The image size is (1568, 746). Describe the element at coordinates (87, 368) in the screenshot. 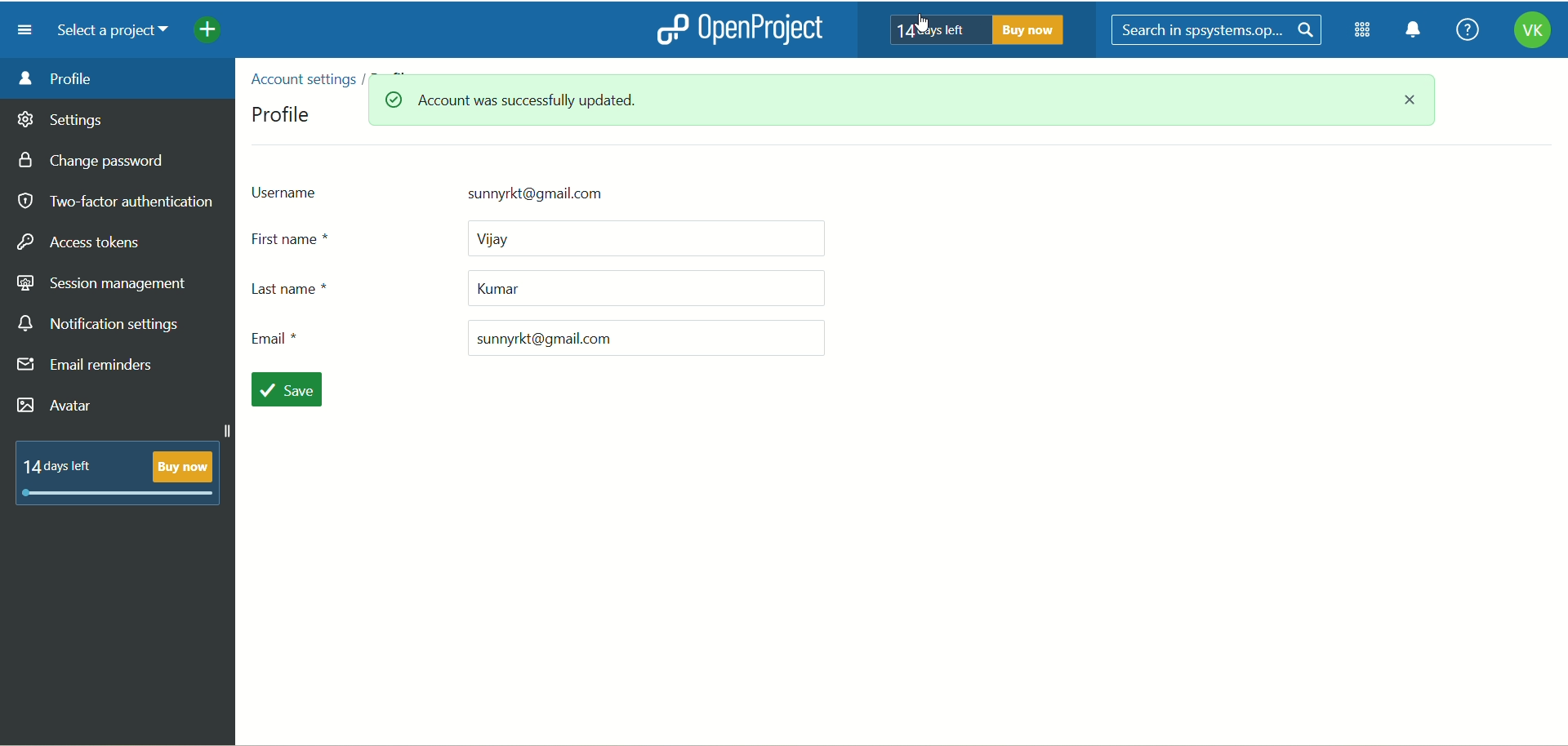

I see `email reminders` at that location.